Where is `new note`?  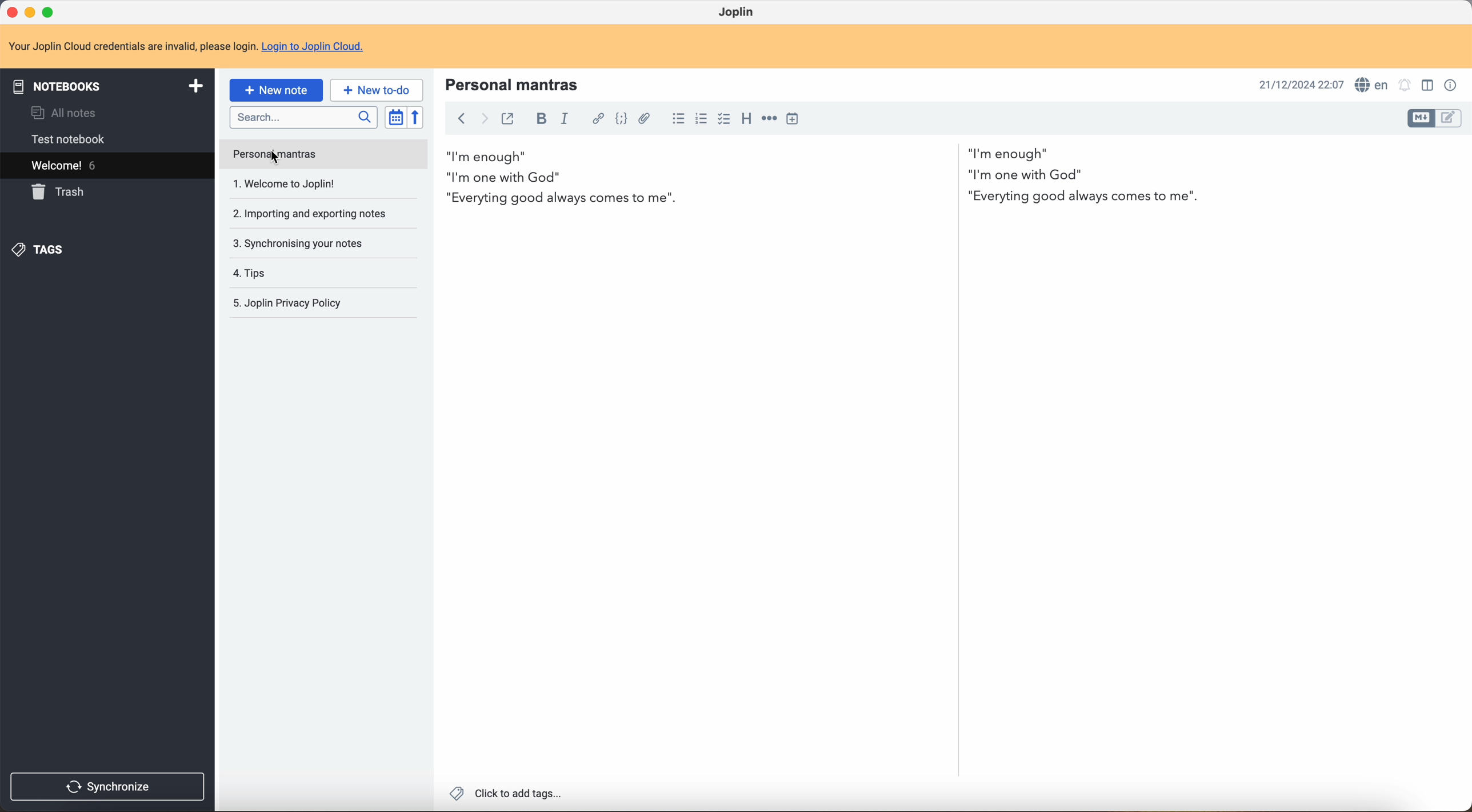 new note is located at coordinates (275, 89).